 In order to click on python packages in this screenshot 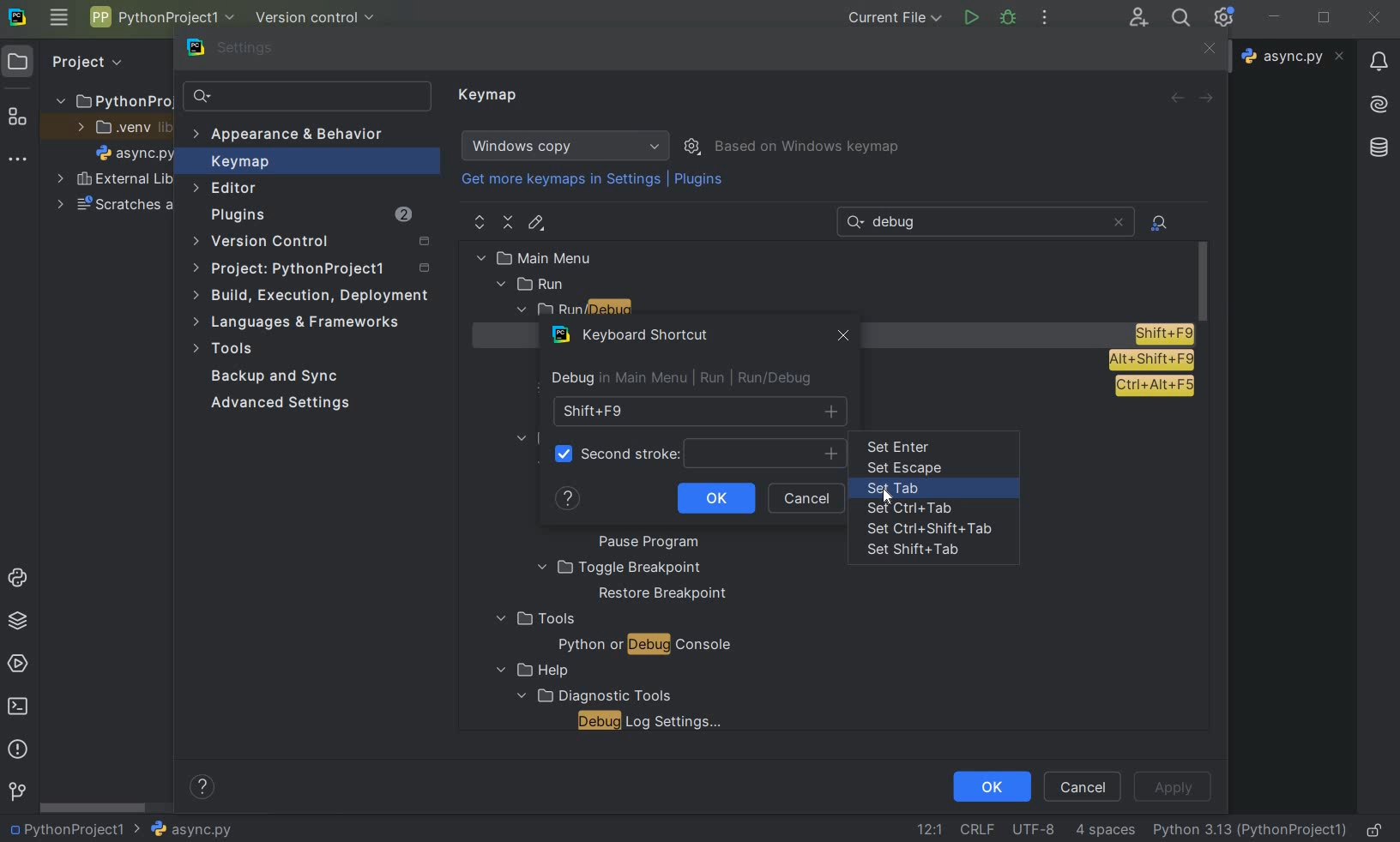, I will do `click(21, 621)`.